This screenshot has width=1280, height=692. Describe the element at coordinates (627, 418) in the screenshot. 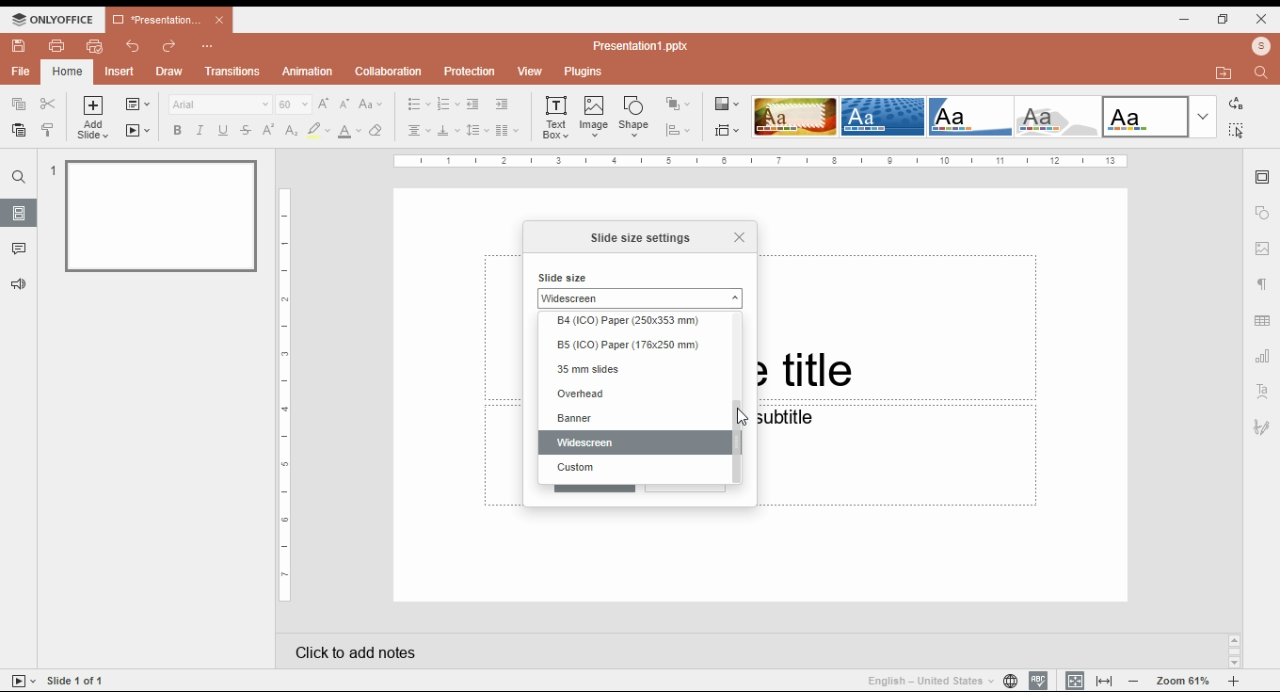

I see `Banner` at that location.